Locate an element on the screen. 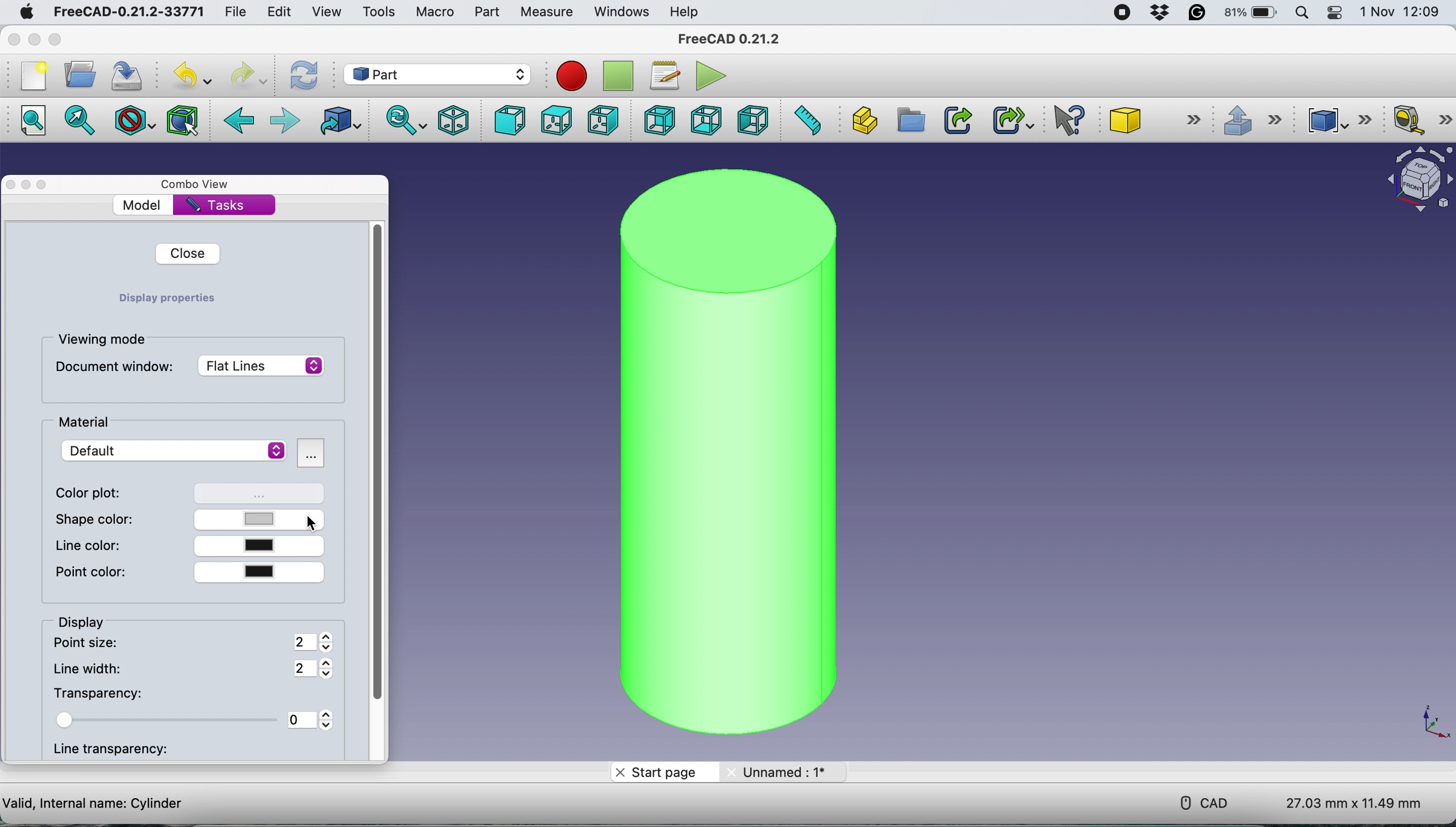 The image size is (1456, 827). control center is located at coordinates (1337, 15).